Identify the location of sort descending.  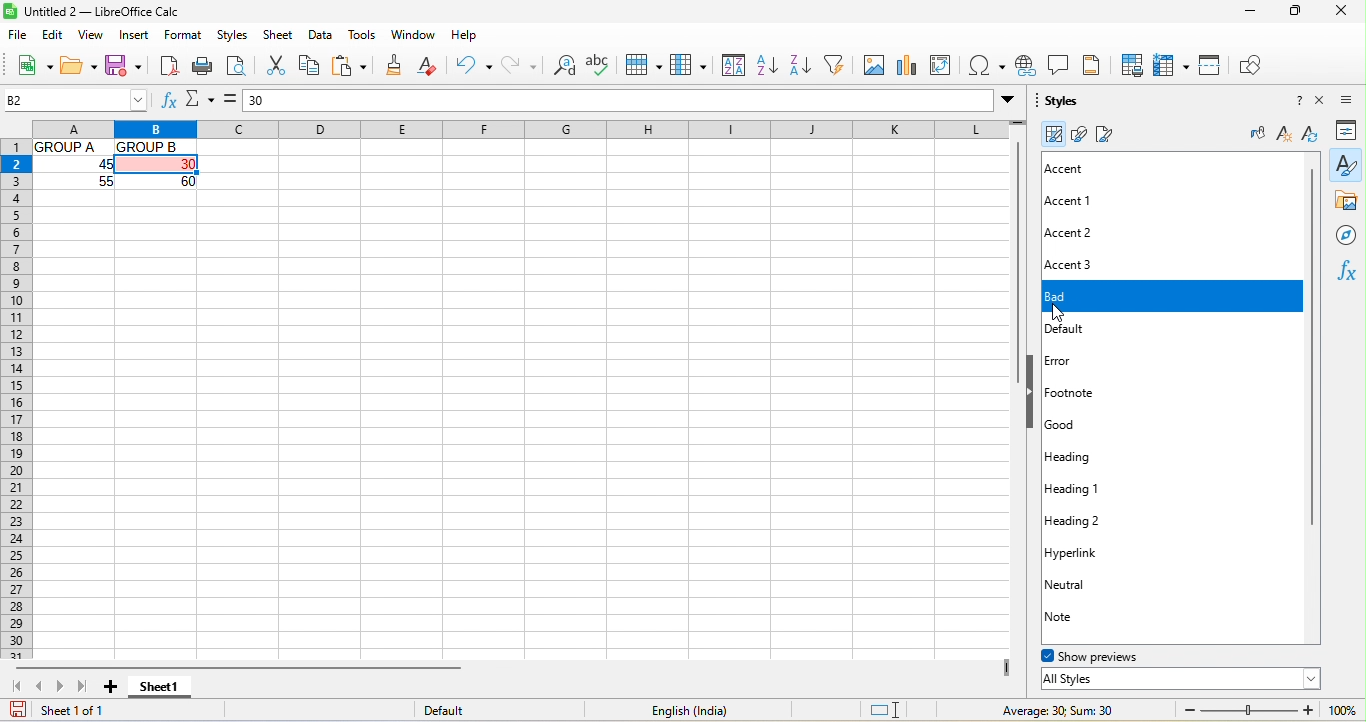
(806, 64).